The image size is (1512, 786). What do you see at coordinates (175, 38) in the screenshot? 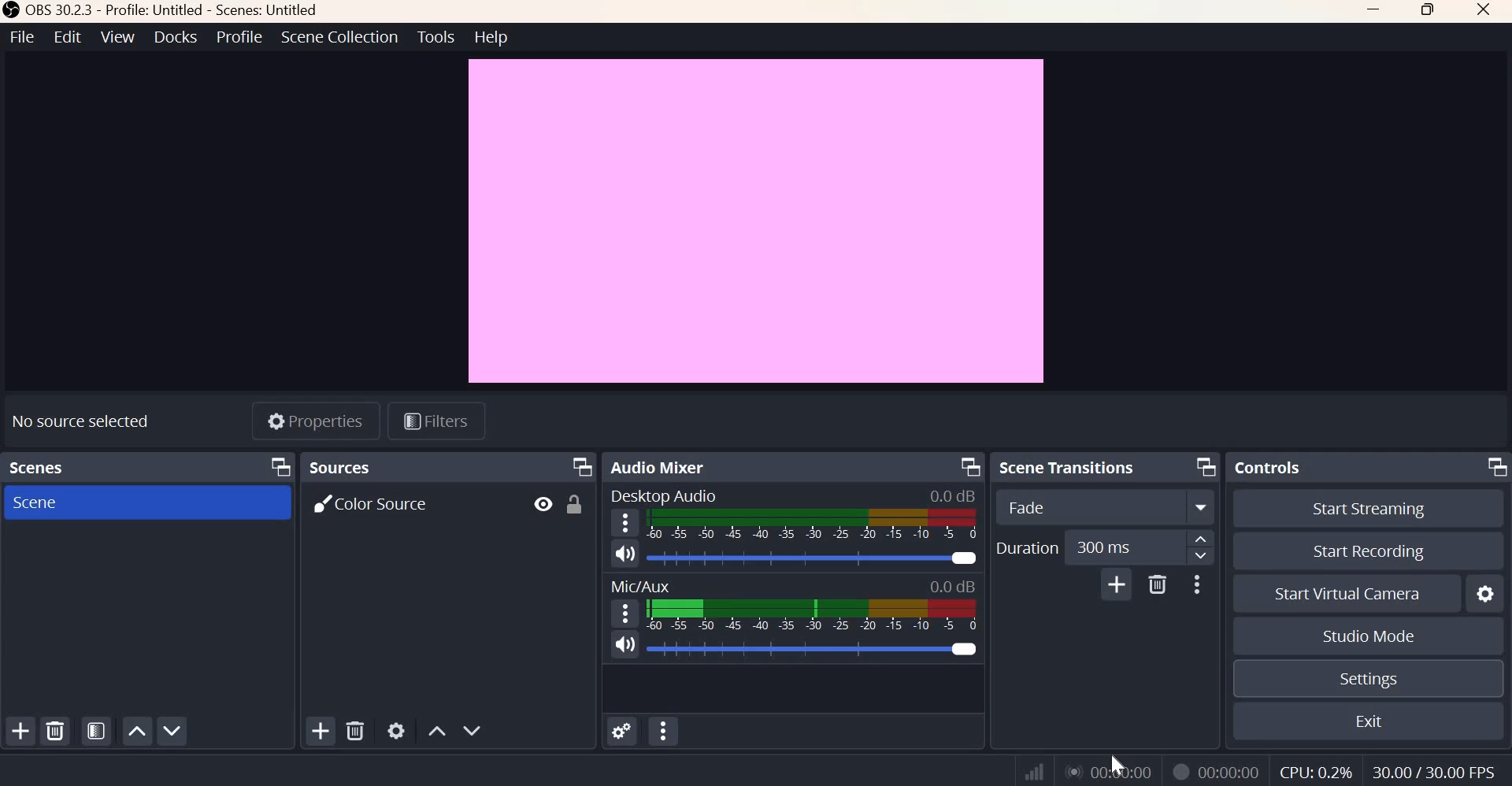
I see `Docks` at bounding box center [175, 38].